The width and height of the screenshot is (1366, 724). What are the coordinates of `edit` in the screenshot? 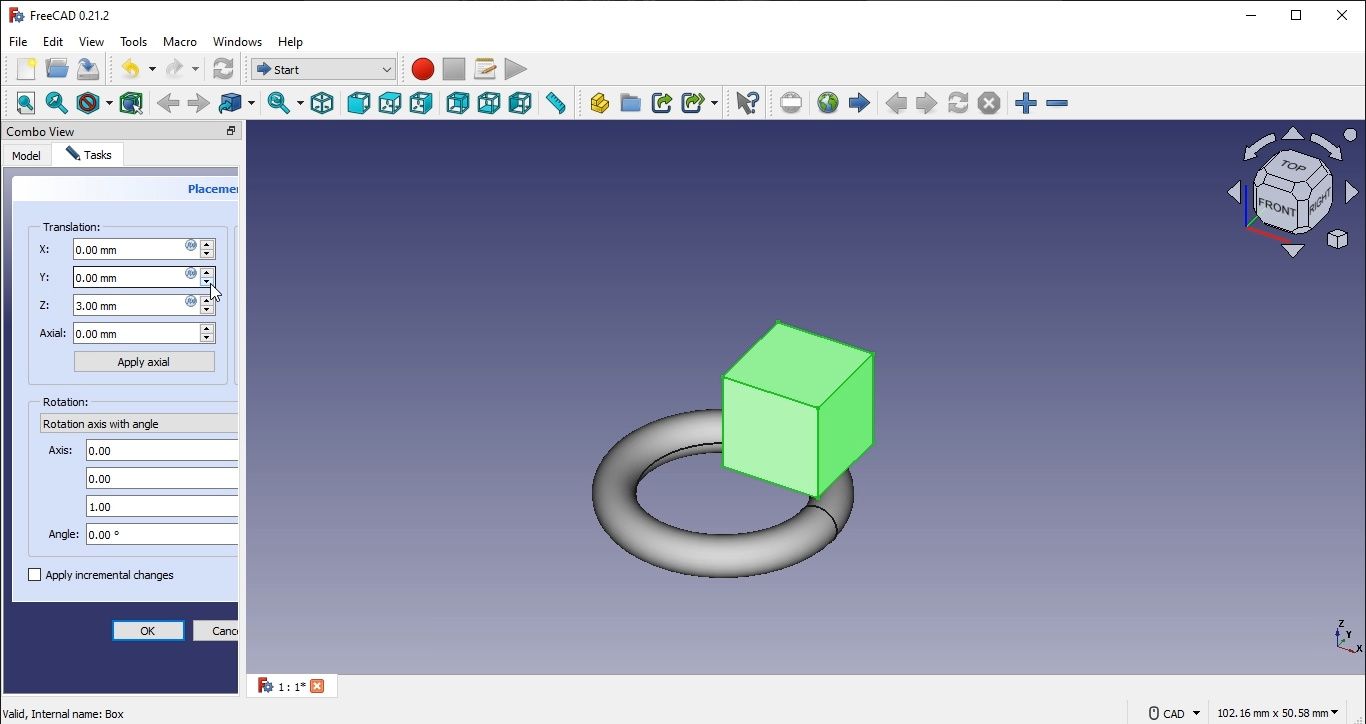 It's located at (55, 42).